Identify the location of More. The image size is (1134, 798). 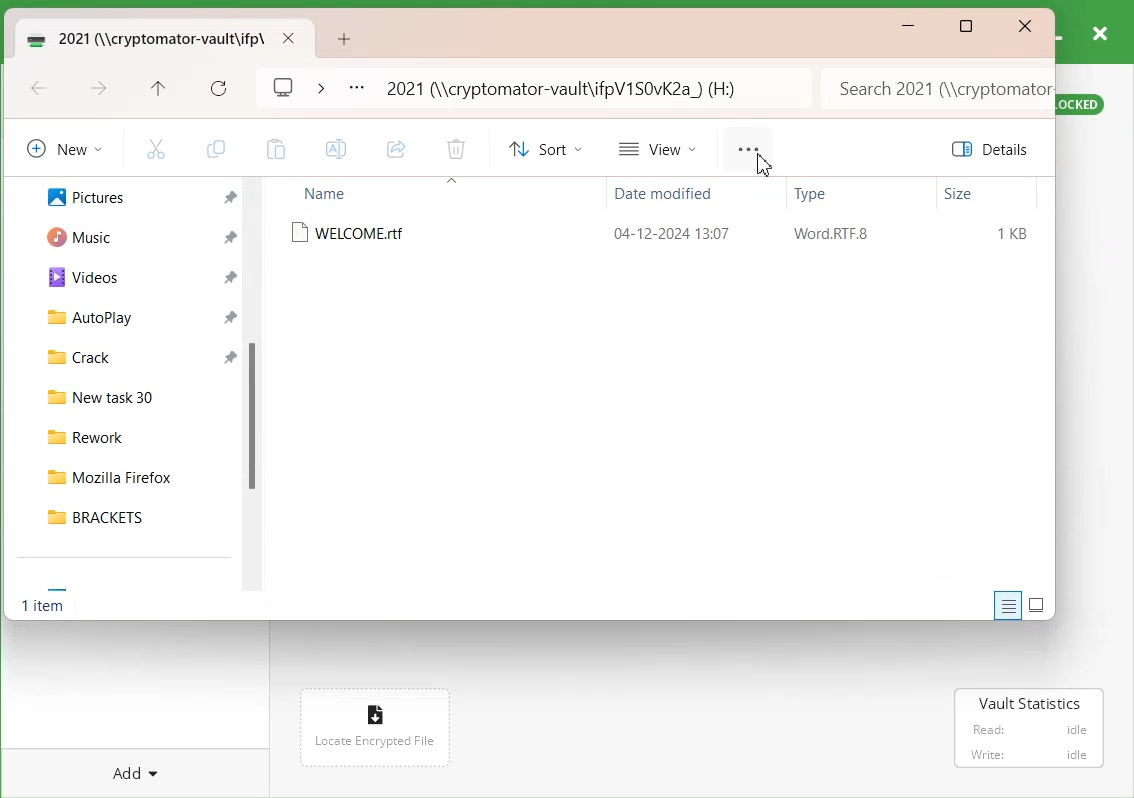
(747, 150).